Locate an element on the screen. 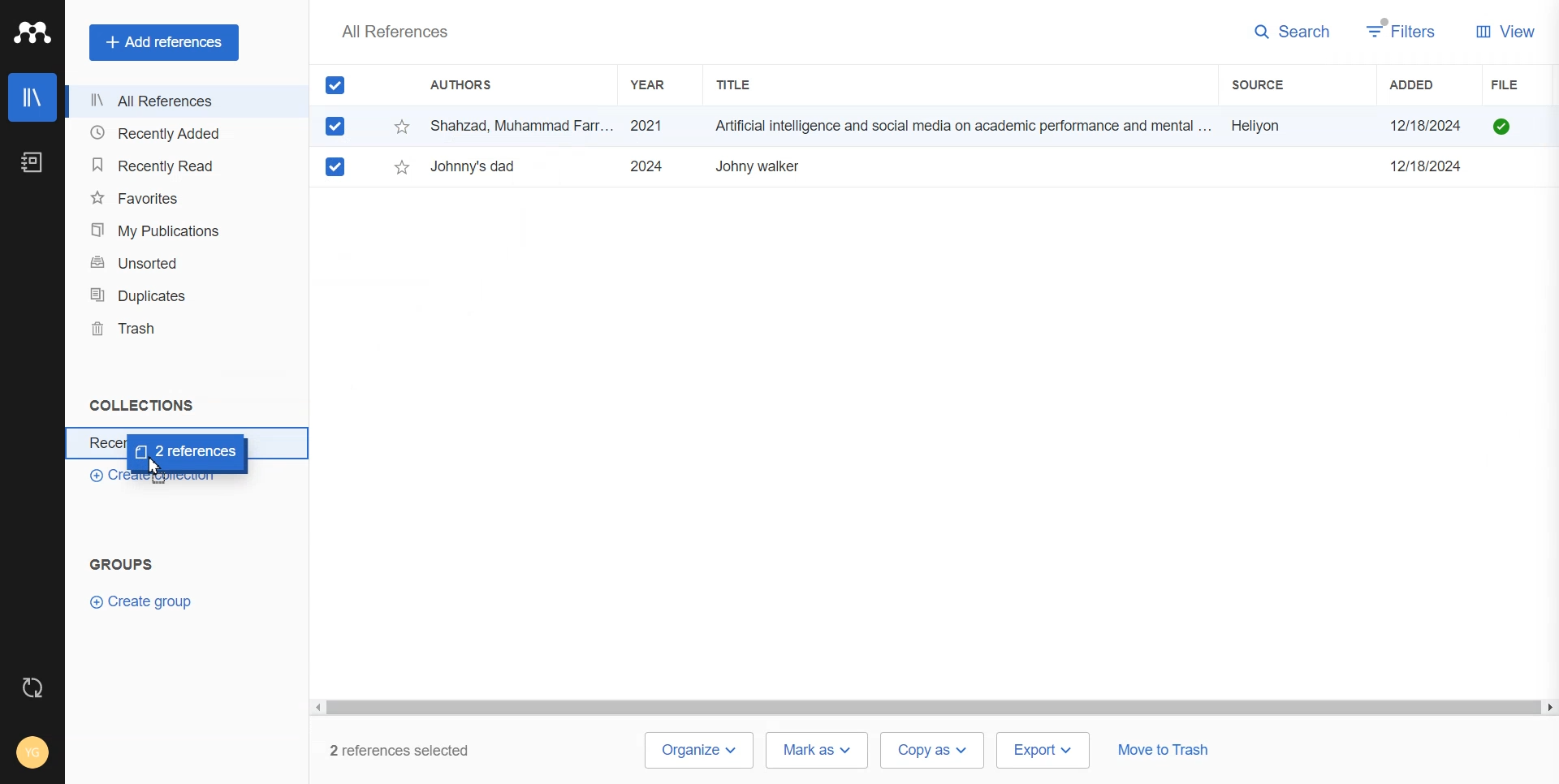 The height and width of the screenshot is (784, 1559). Mark checked is located at coordinates (337, 166).